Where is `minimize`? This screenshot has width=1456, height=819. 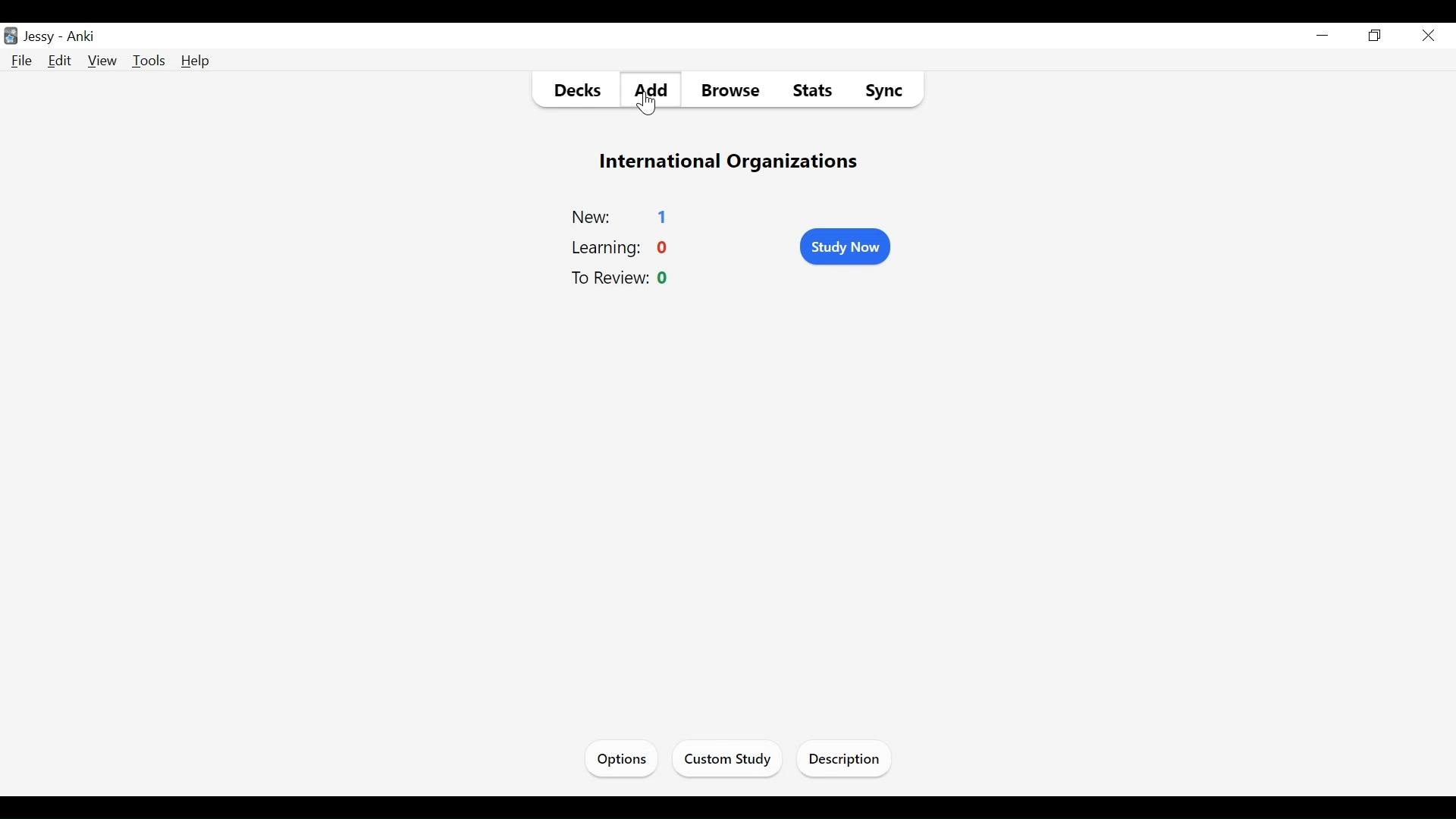
minimize is located at coordinates (1323, 36).